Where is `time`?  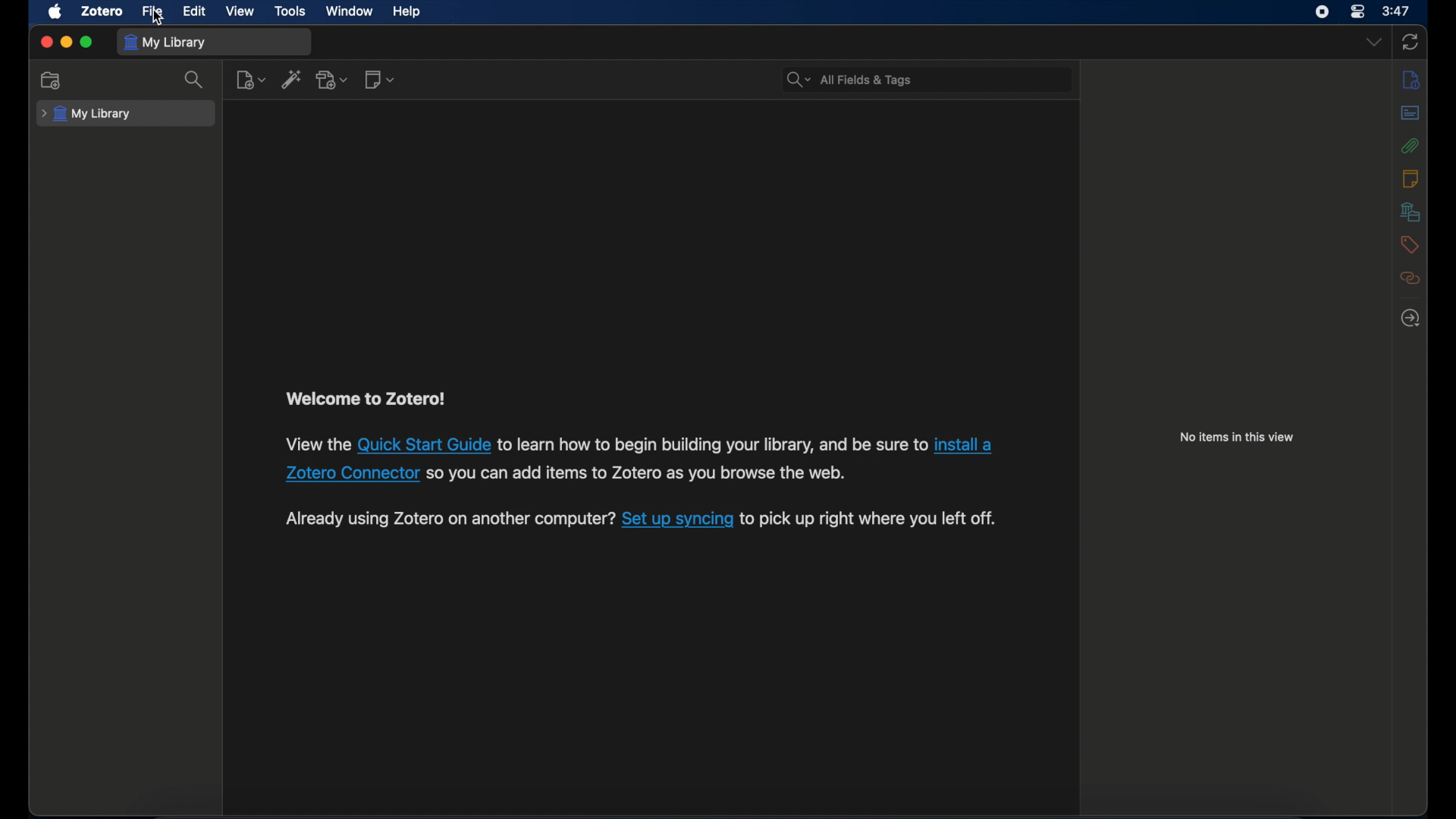
time is located at coordinates (1397, 10).